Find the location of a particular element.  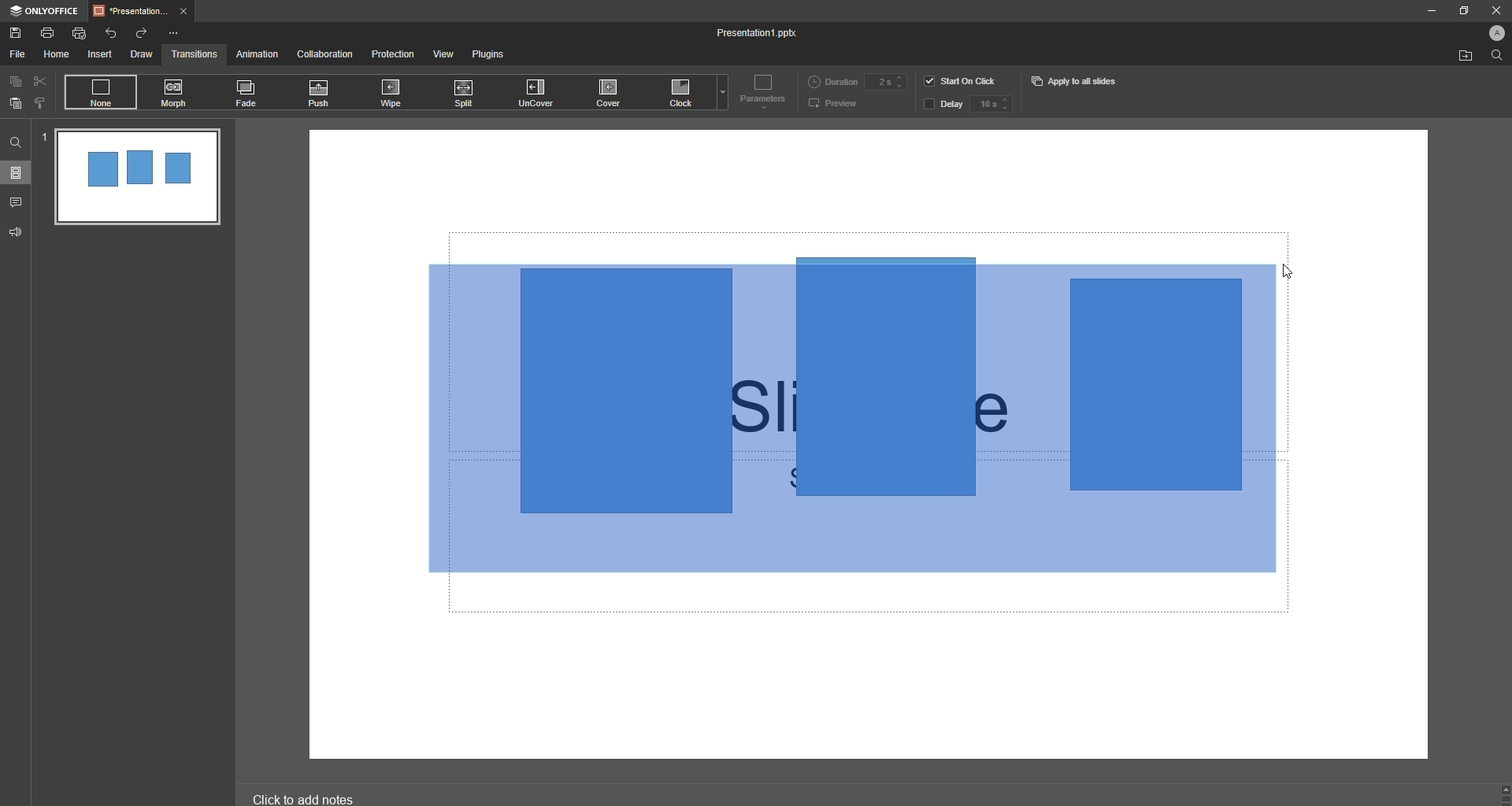

ONLYOFFICE is located at coordinates (44, 11).